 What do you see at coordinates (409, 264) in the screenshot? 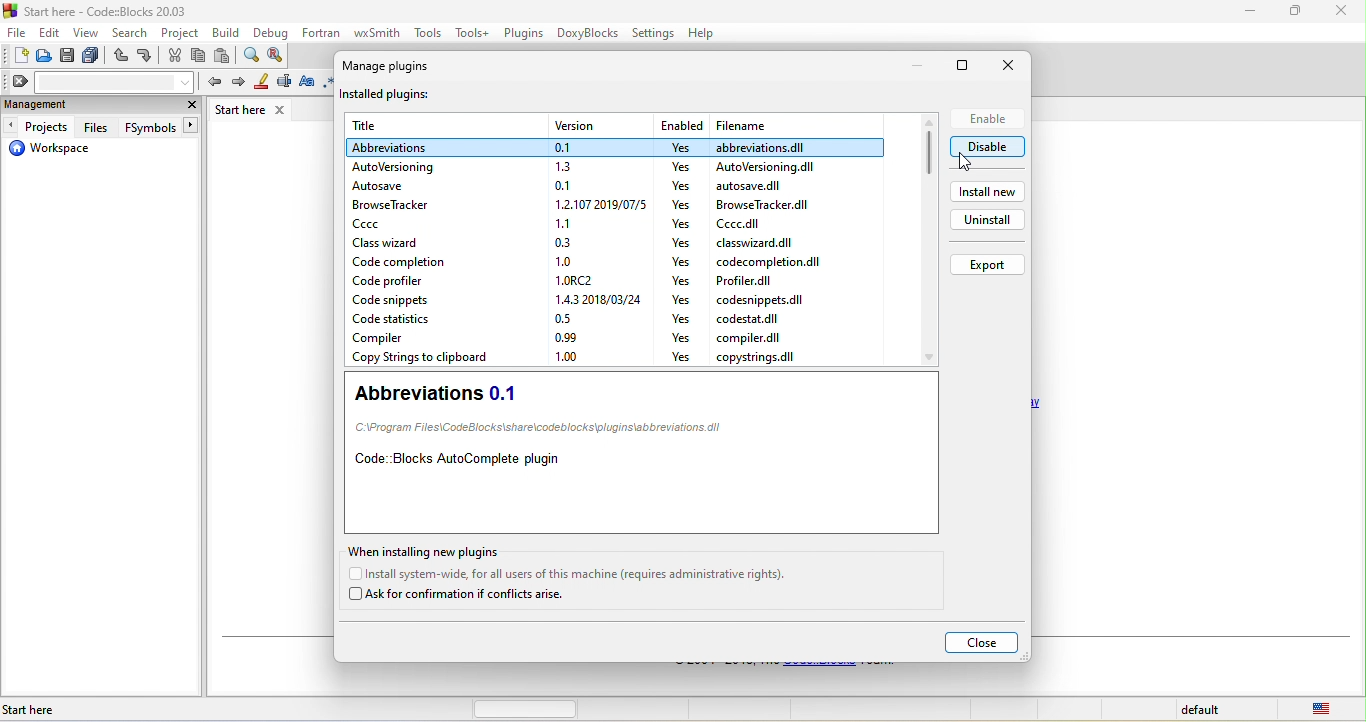
I see `code completion` at bounding box center [409, 264].